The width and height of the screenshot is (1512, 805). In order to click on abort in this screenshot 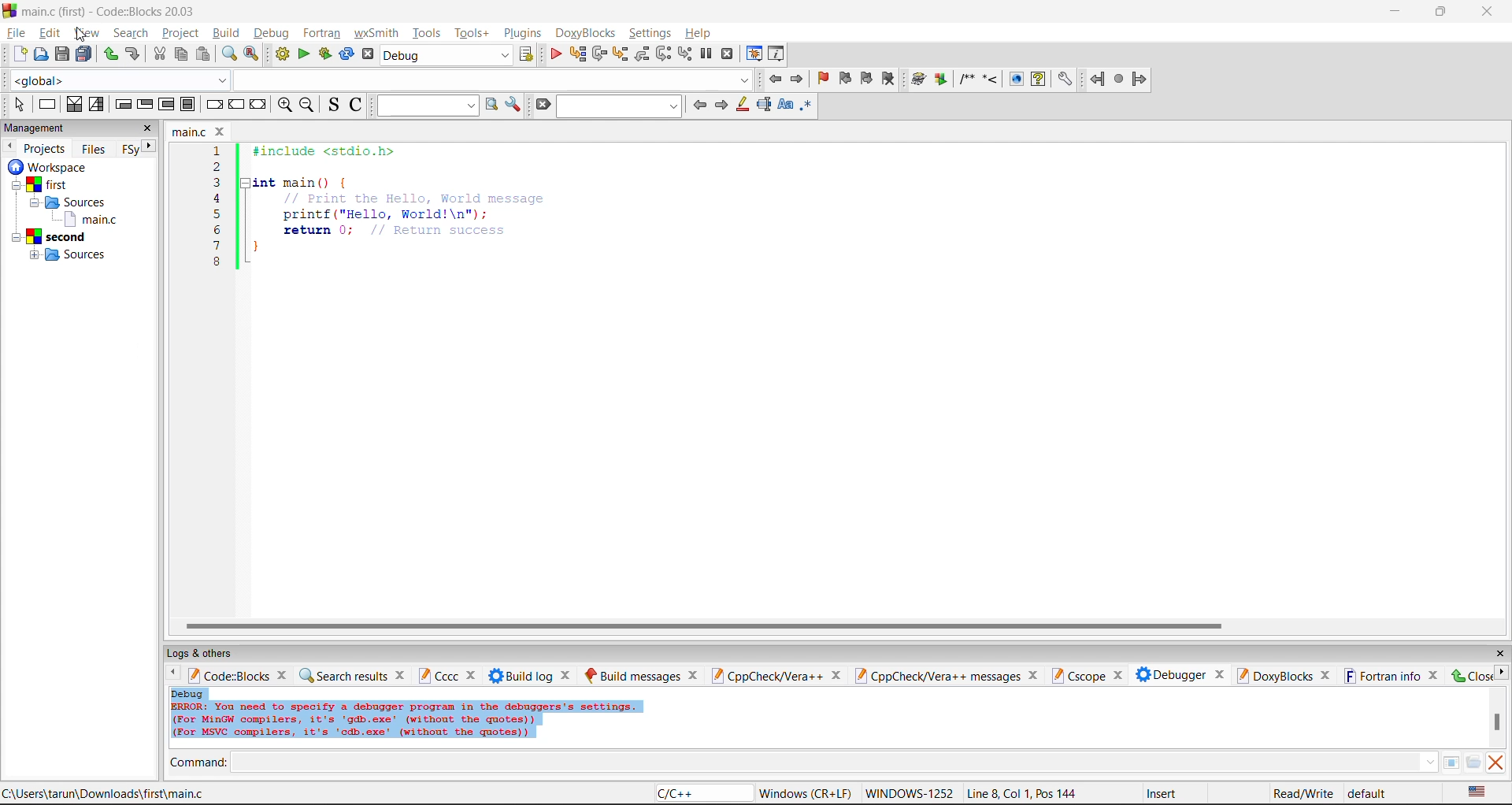, I will do `click(369, 54)`.